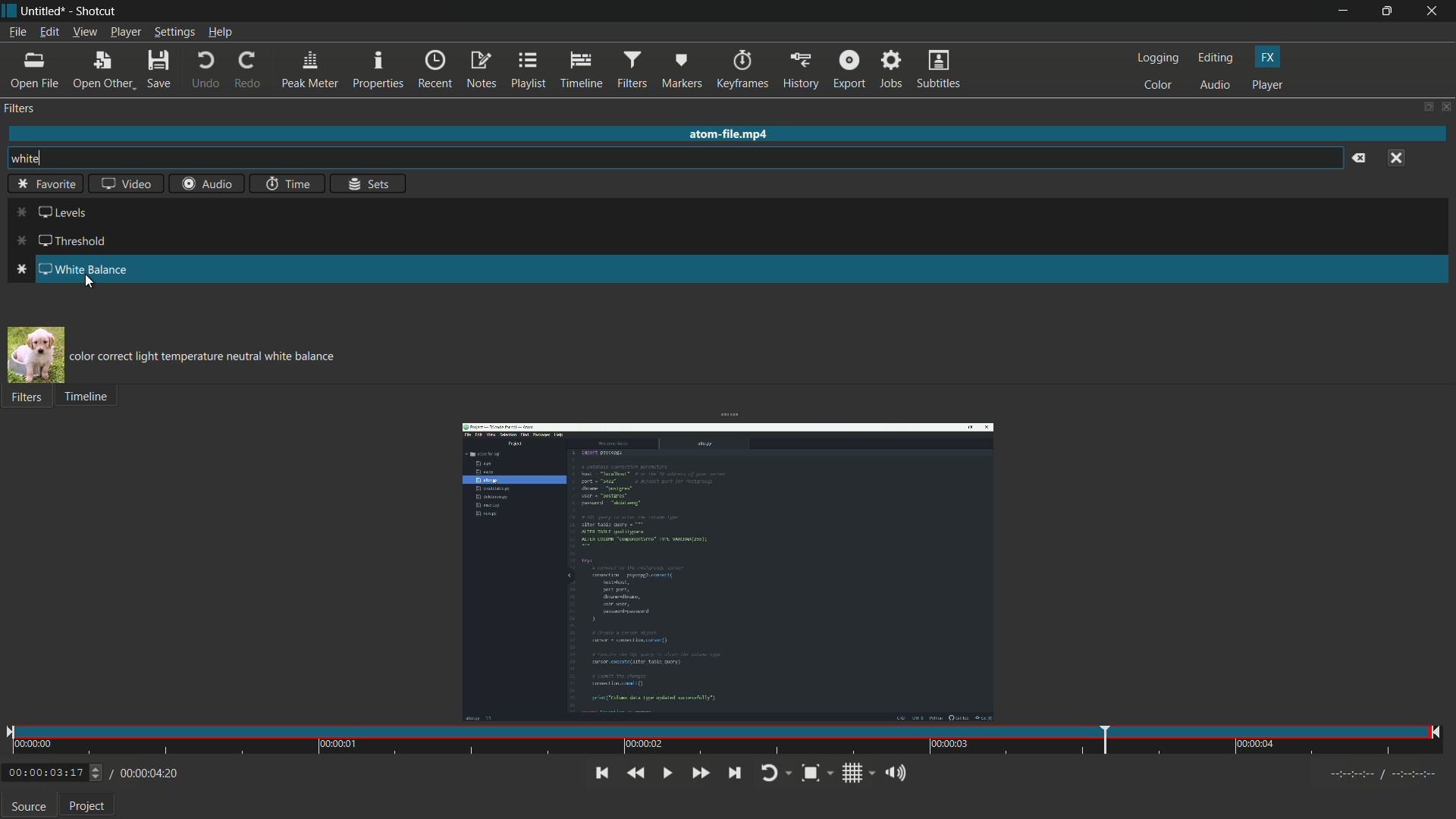  Describe the element at coordinates (1159, 58) in the screenshot. I see `logging` at that location.